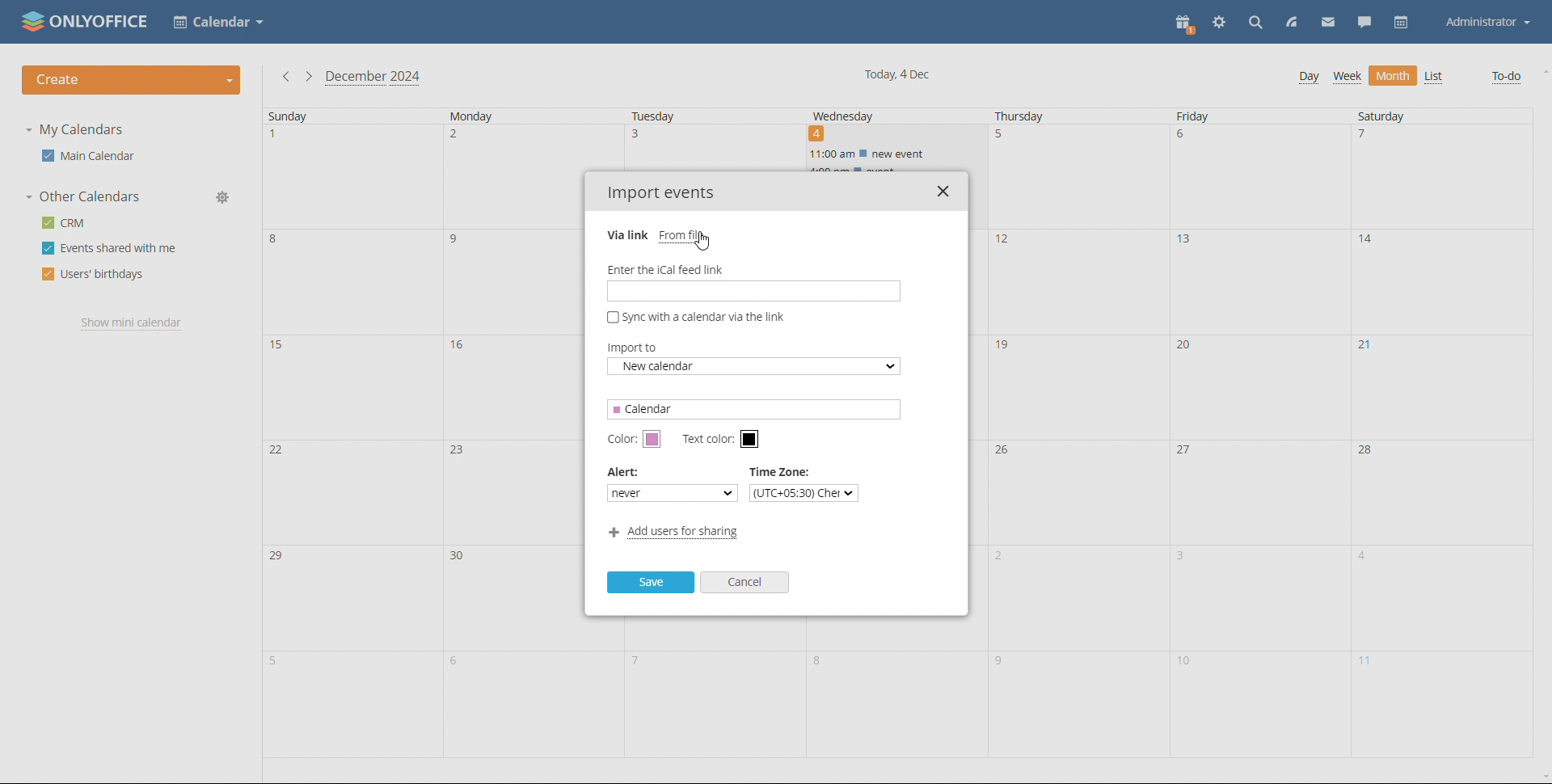  Describe the element at coordinates (752, 268) in the screenshot. I see `enter ical feed link` at that location.